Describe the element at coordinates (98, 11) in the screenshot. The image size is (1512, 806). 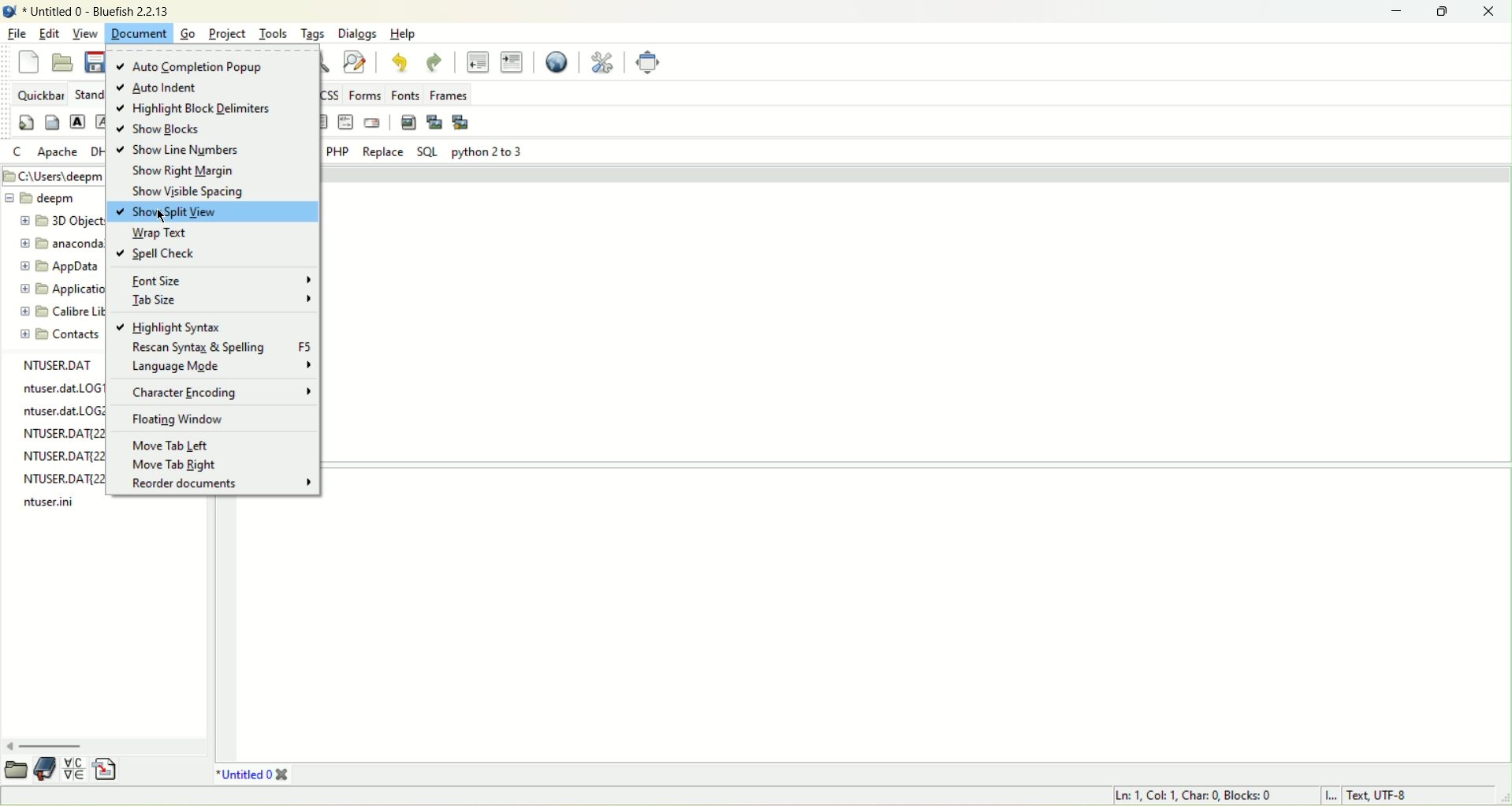
I see `document name` at that location.